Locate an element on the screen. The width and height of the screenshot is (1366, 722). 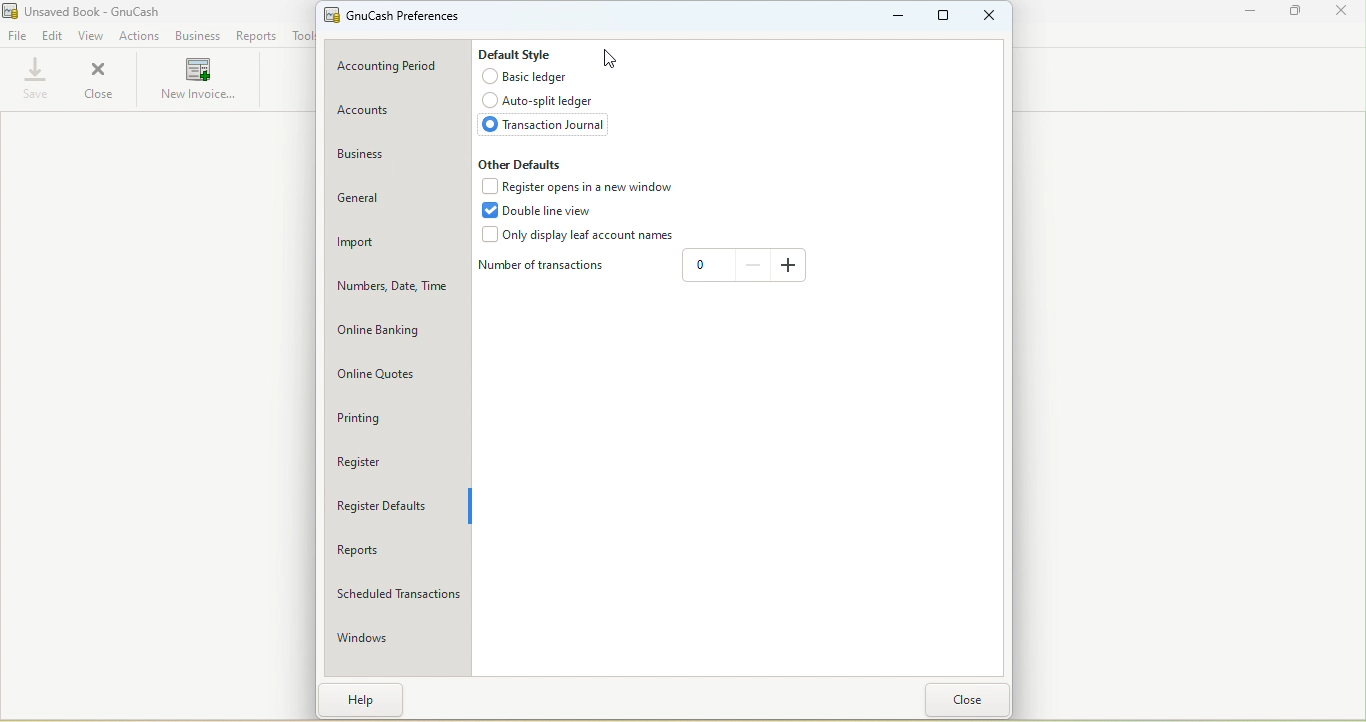
Maximize is located at coordinates (937, 19).